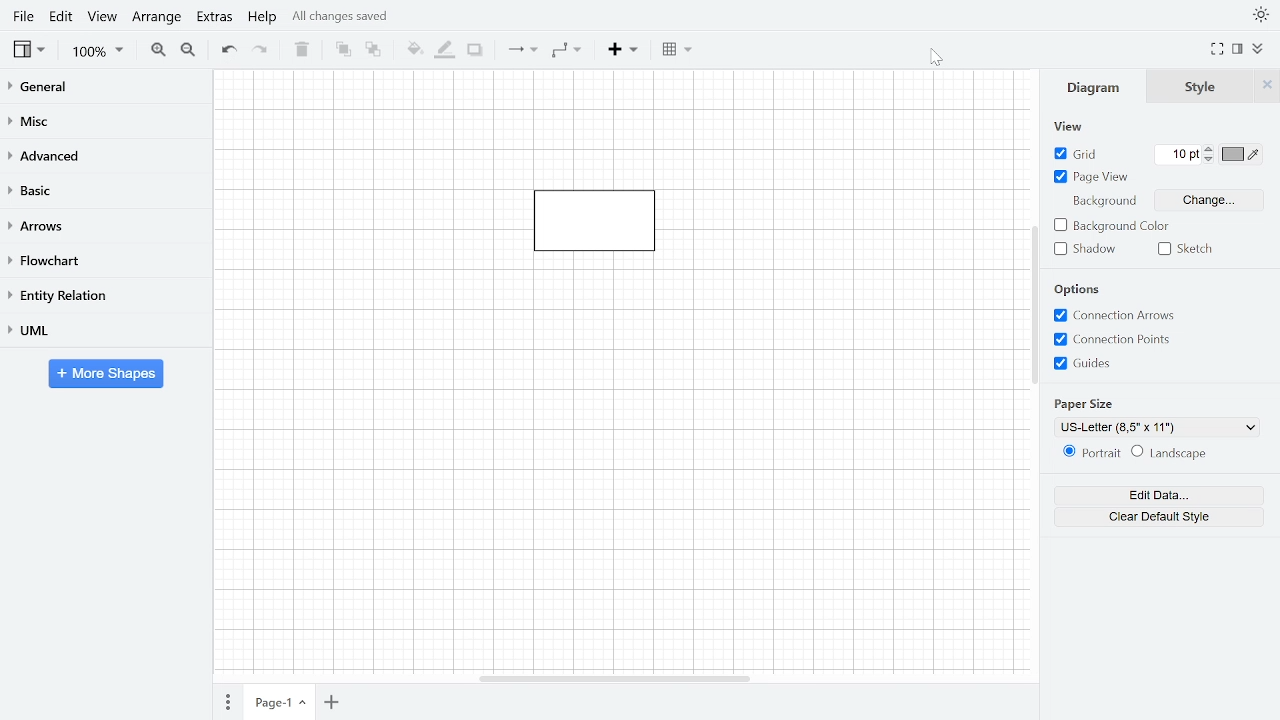  Describe the element at coordinates (352, 19) in the screenshot. I see `All changes saved` at that location.